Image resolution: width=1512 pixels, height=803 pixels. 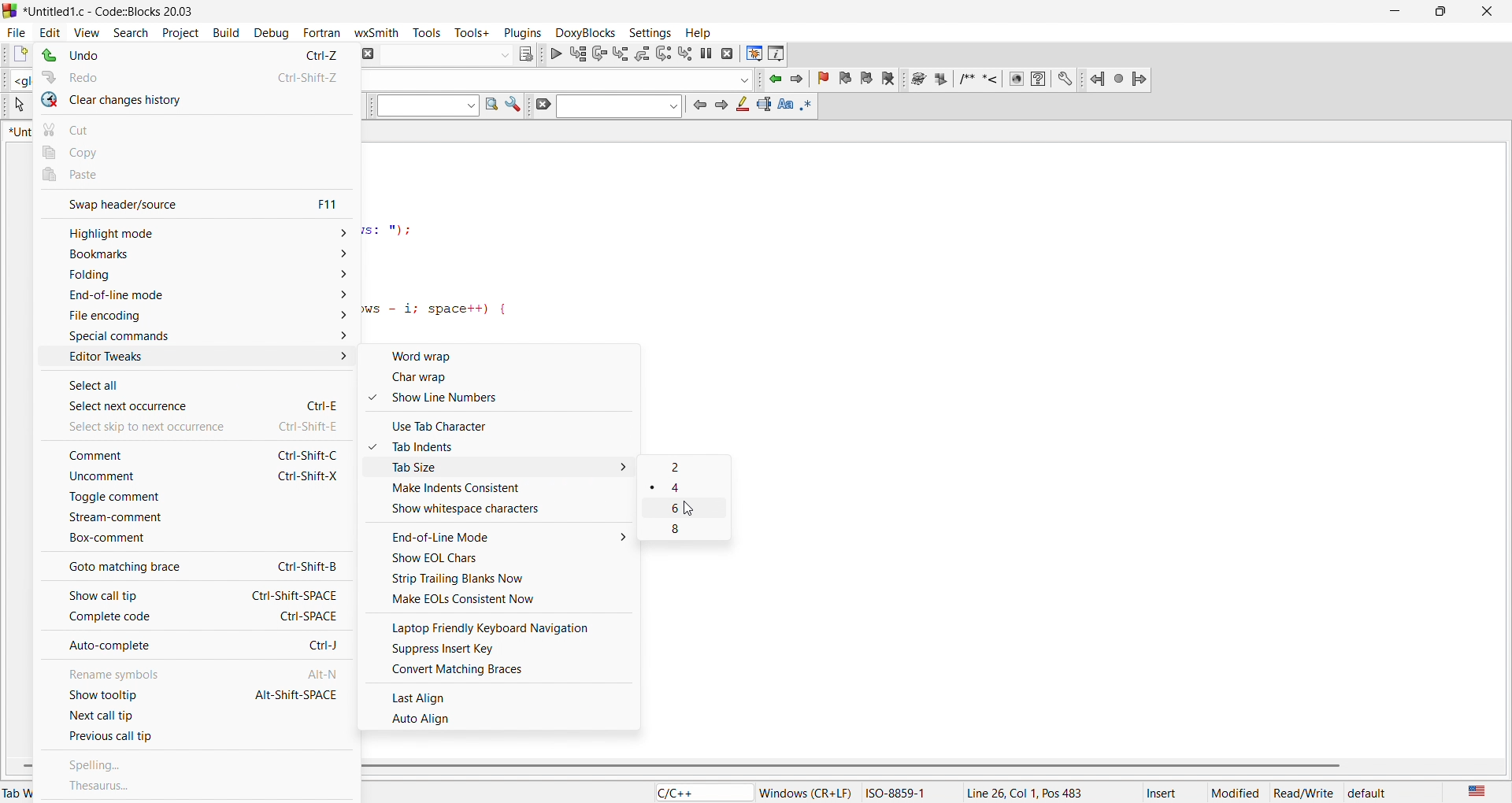 What do you see at coordinates (1167, 791) in the screenshot?
I see `insert` at bounding box center [1167, 791].